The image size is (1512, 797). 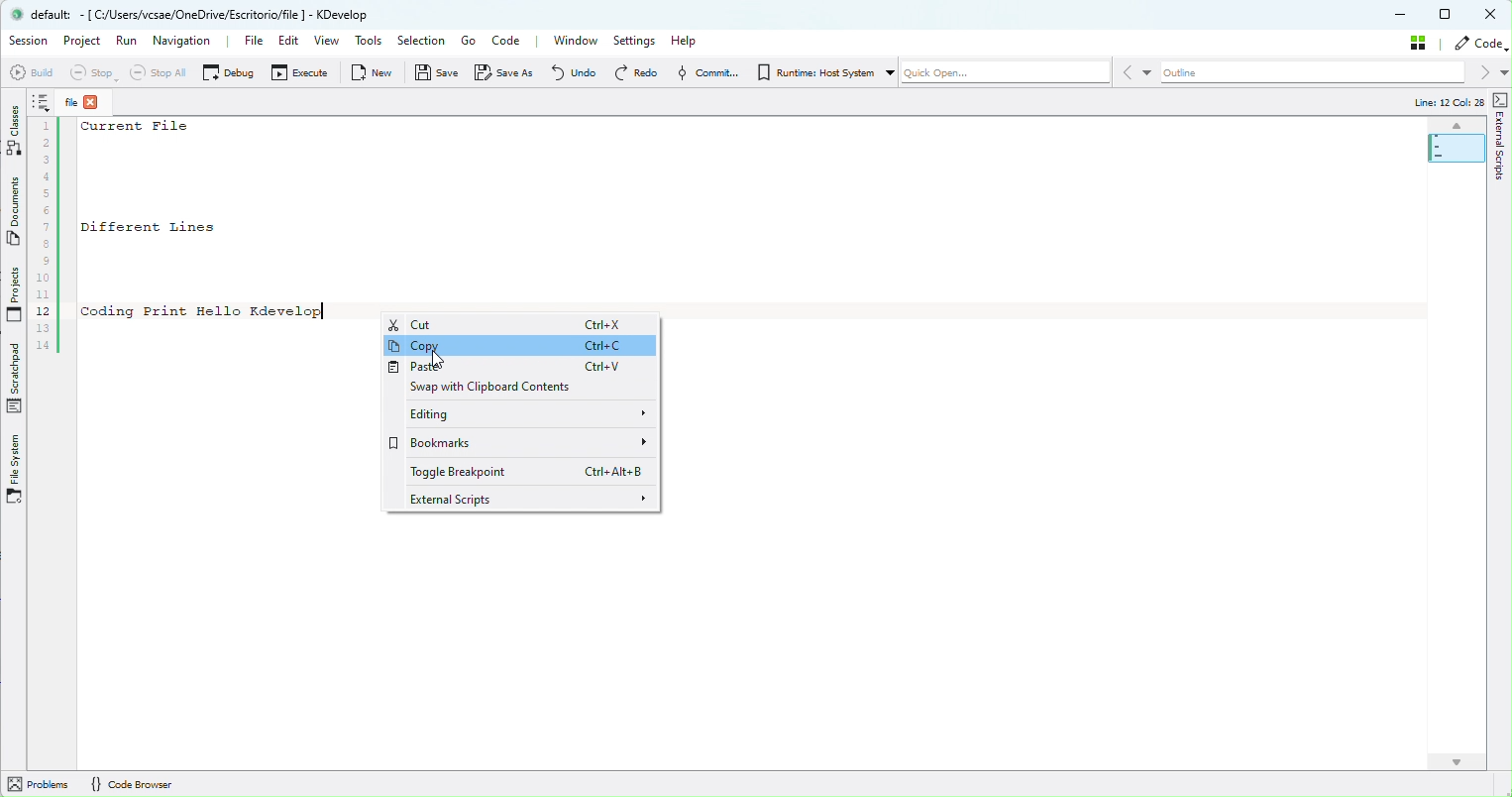 I want to click on Notes, so click(x=45, y=102).